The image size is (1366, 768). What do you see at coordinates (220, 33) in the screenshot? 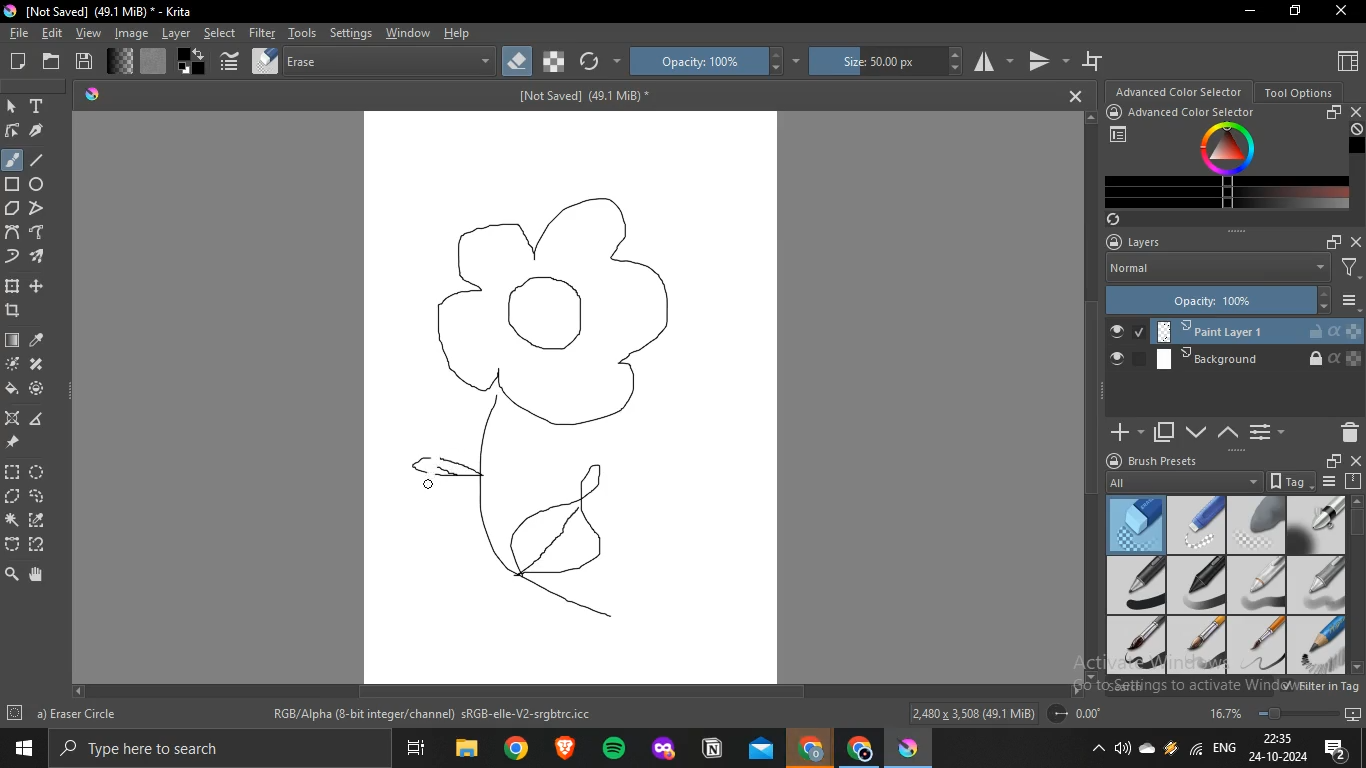
I see `select` at bounding box center [220, 33].